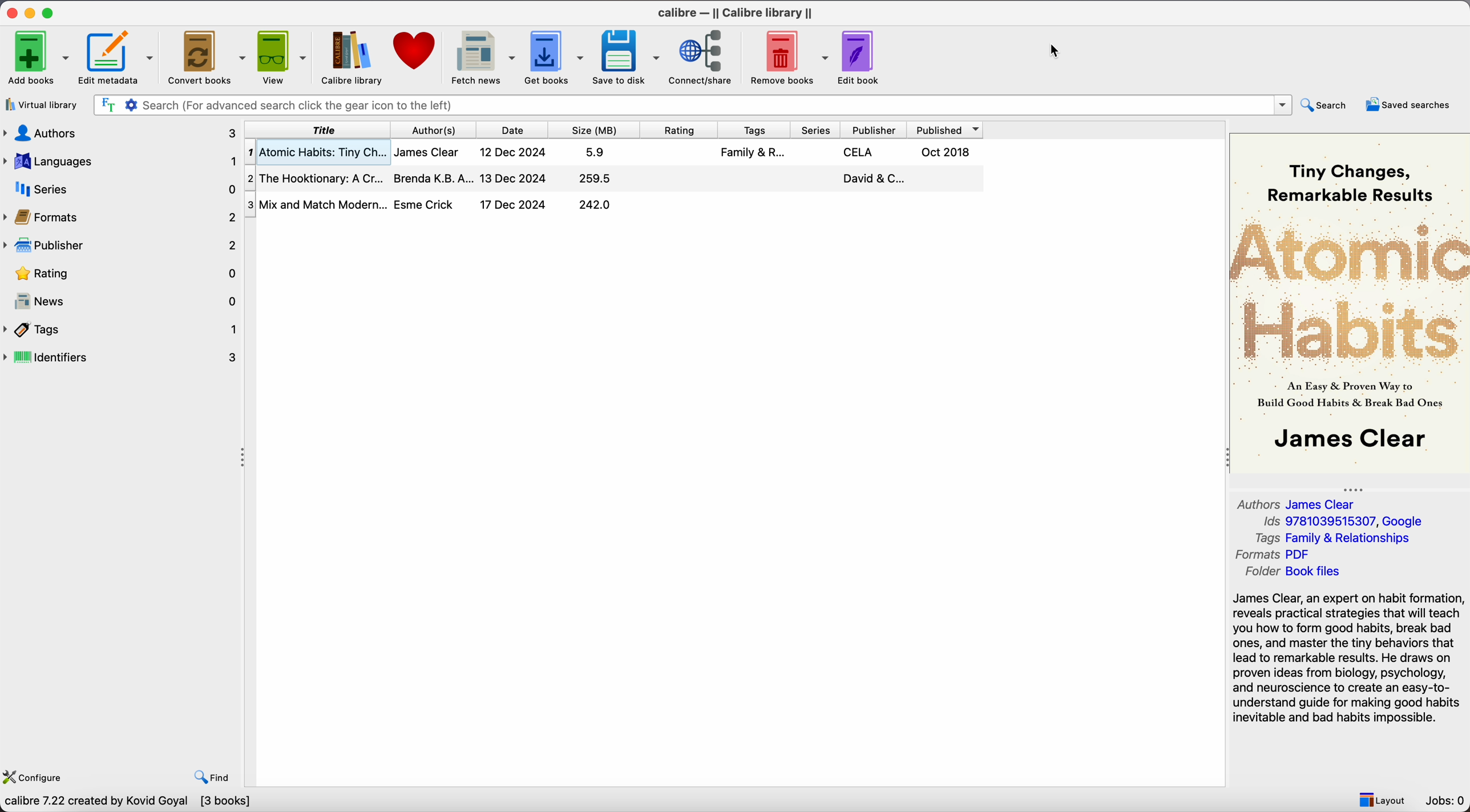  Describe the element at coordinates (757, 130) in the screenshot. I see `tags` at that location.